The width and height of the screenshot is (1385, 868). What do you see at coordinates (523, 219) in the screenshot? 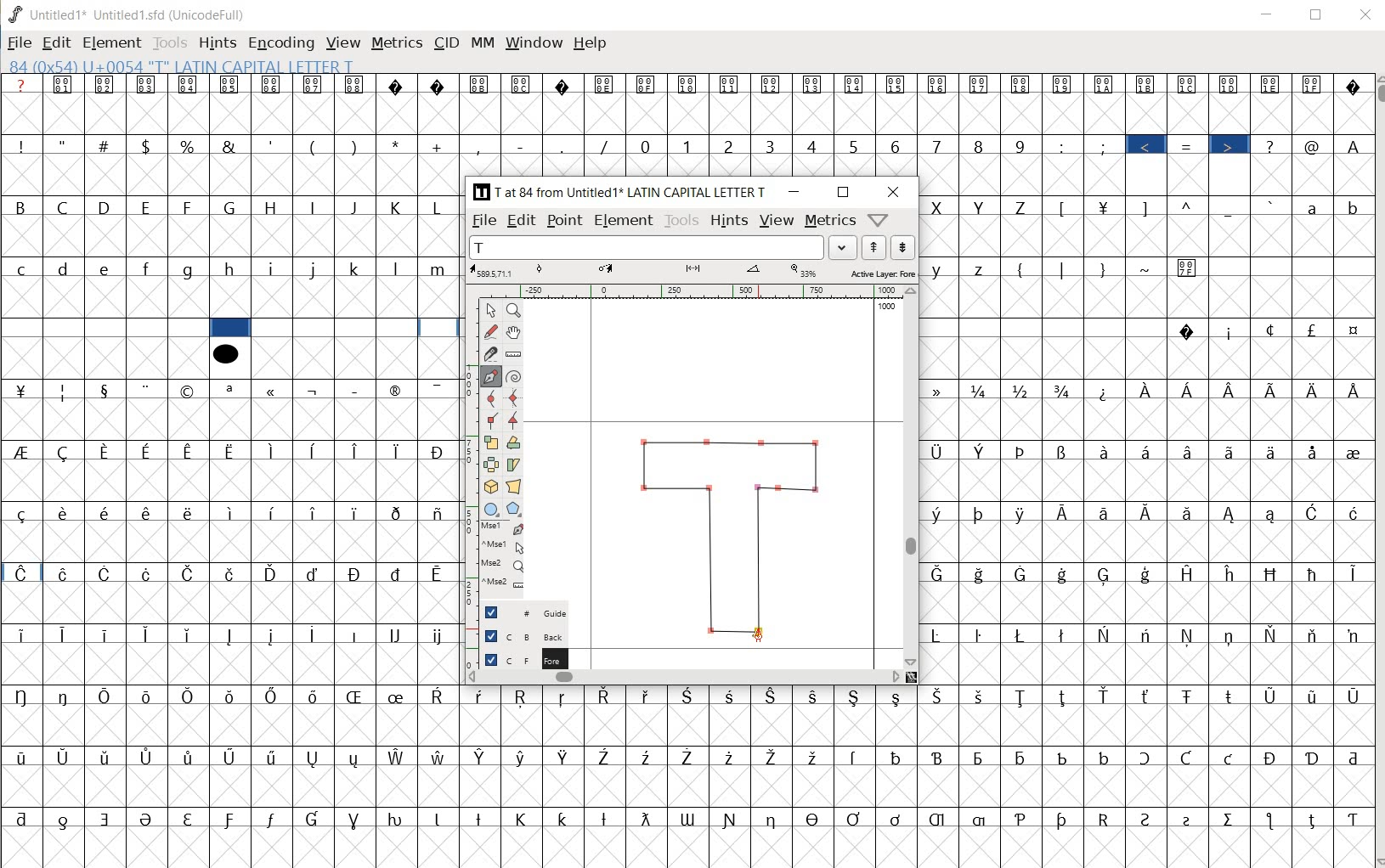
I see `edit` at bounding box center [523, 219].